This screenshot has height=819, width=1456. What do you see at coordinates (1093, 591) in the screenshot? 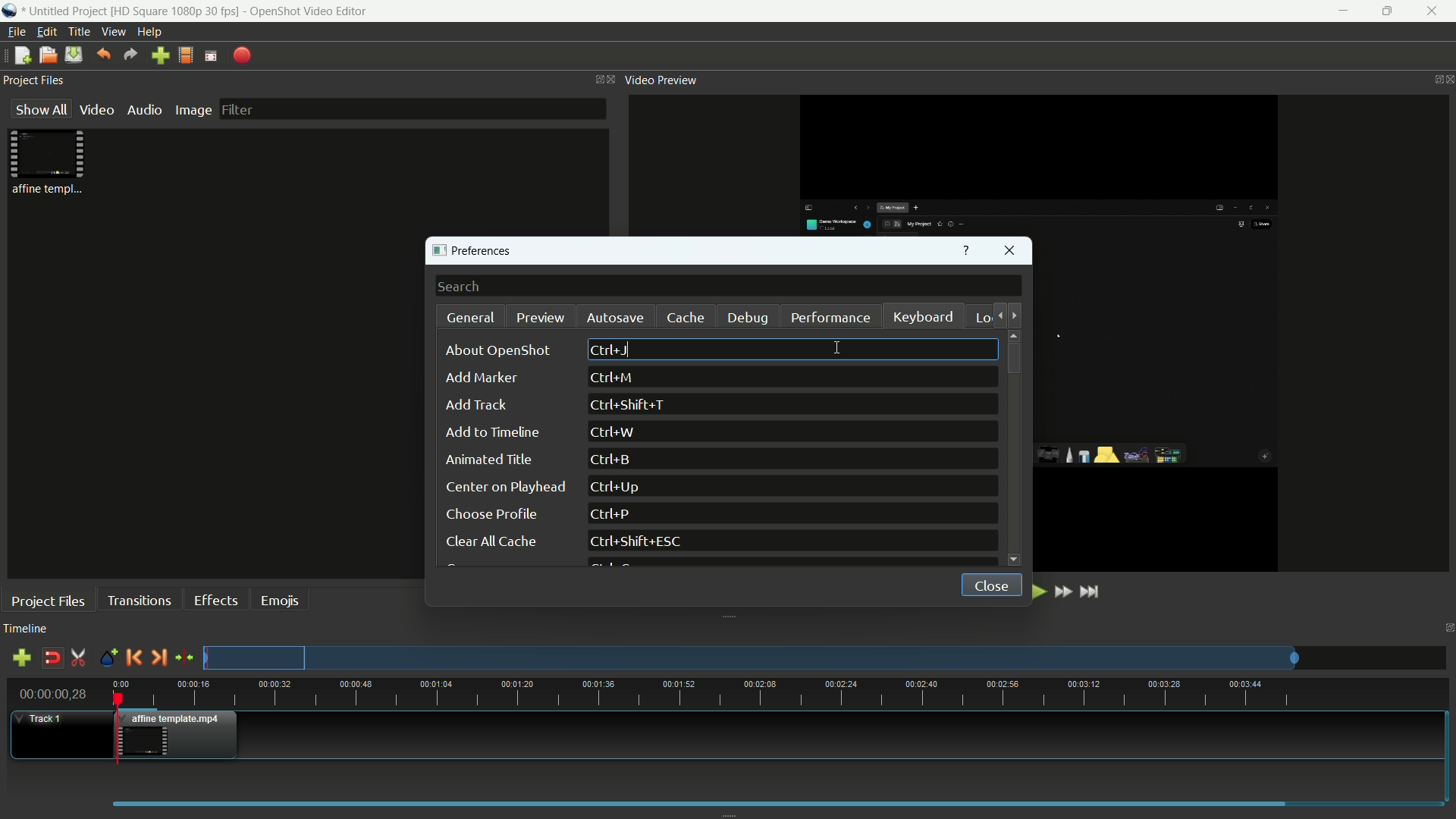
I see `jump to end` at bounding box center [1093, 591].